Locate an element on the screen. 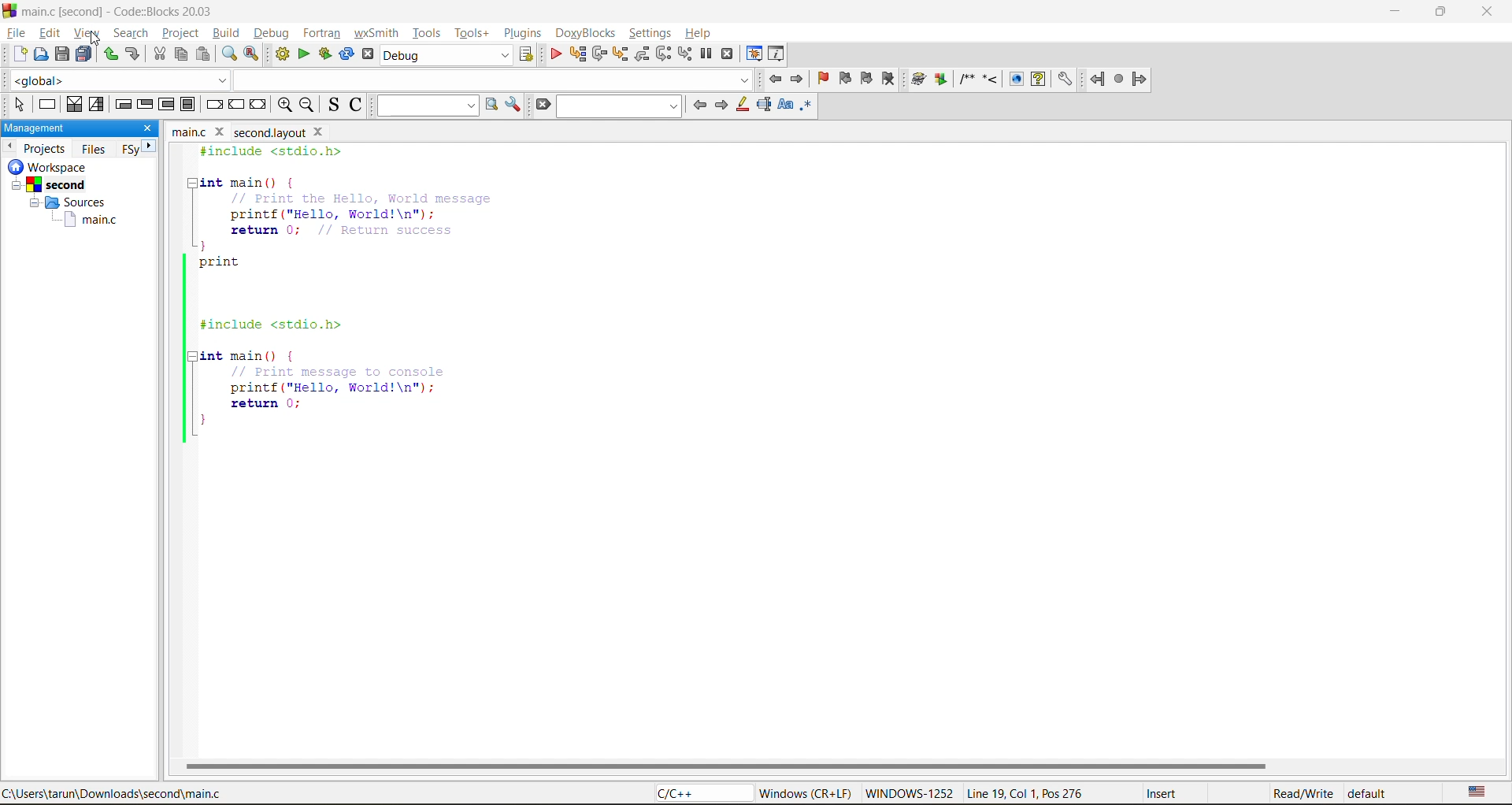 This screenshot has width=1512, height=805. text to search is located at coordinates (428, 104).